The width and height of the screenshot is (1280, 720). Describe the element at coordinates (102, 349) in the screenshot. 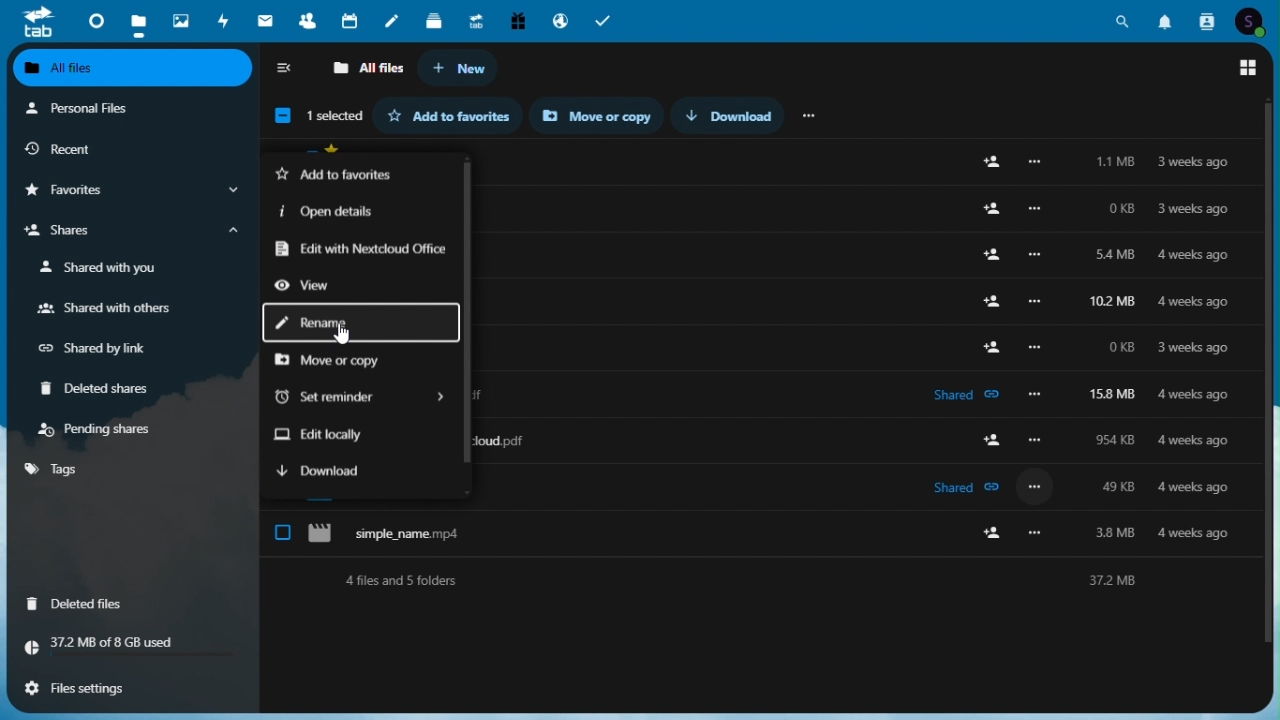

I see `shared by link` at that location.